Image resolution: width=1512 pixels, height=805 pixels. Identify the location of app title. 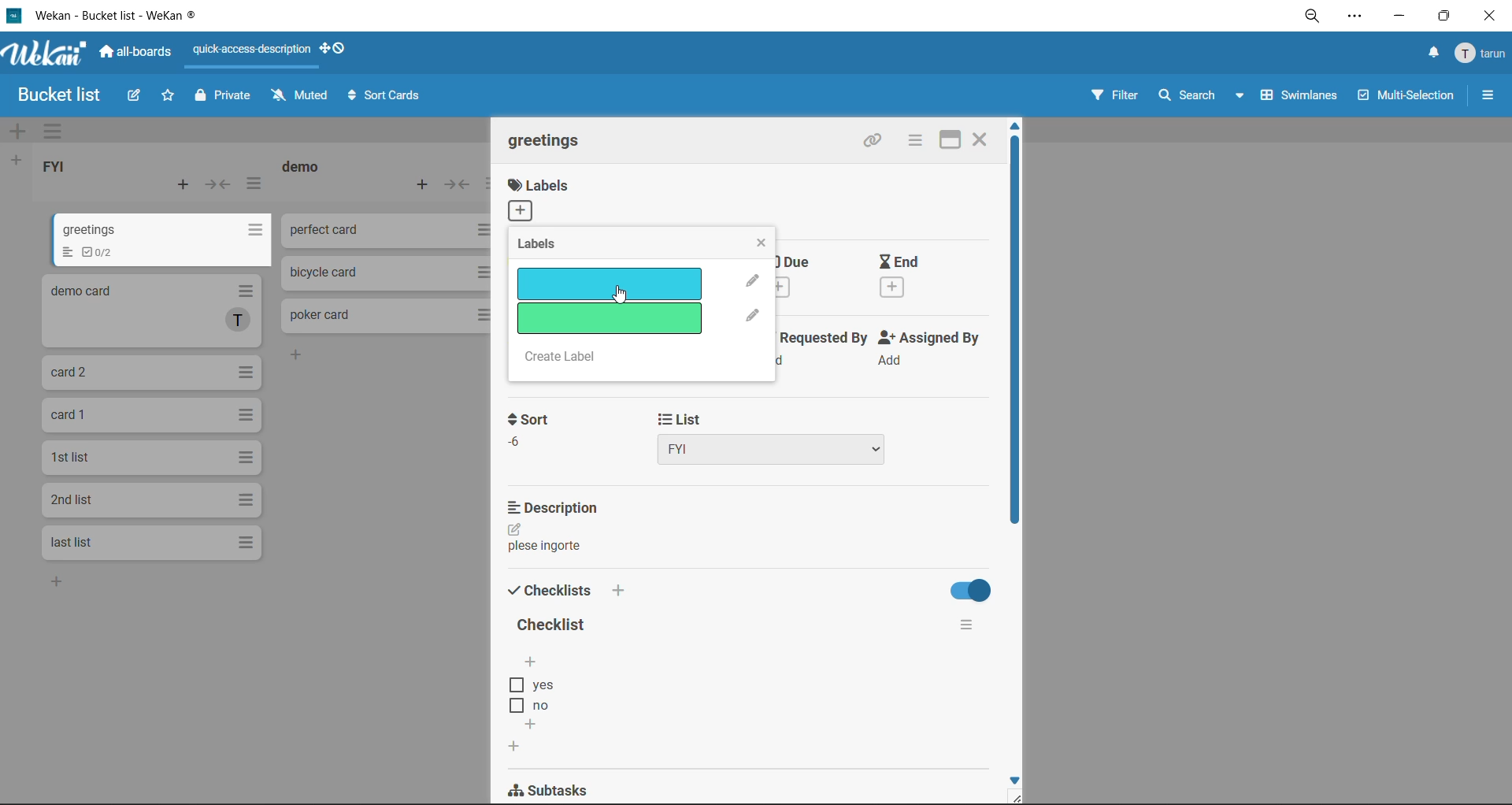
(109, 16).